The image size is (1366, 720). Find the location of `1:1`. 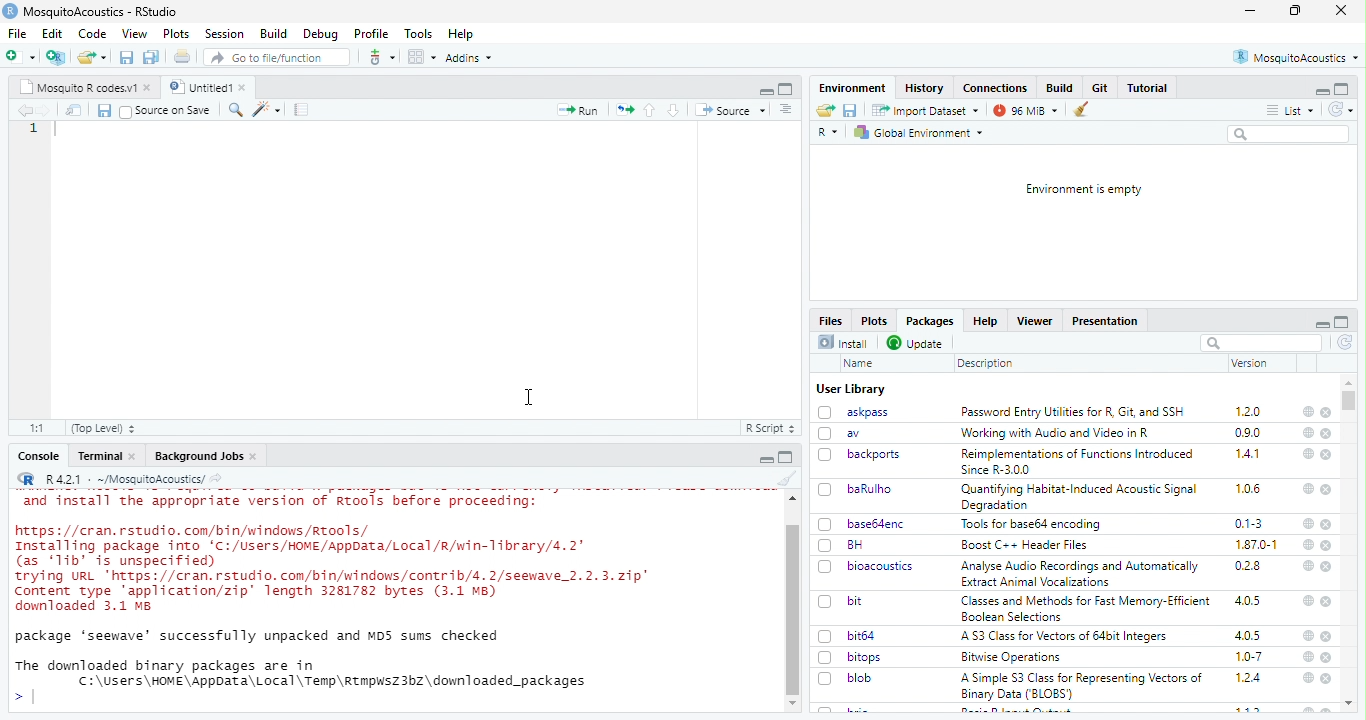

1:1 is located at coordinates (39, 428).